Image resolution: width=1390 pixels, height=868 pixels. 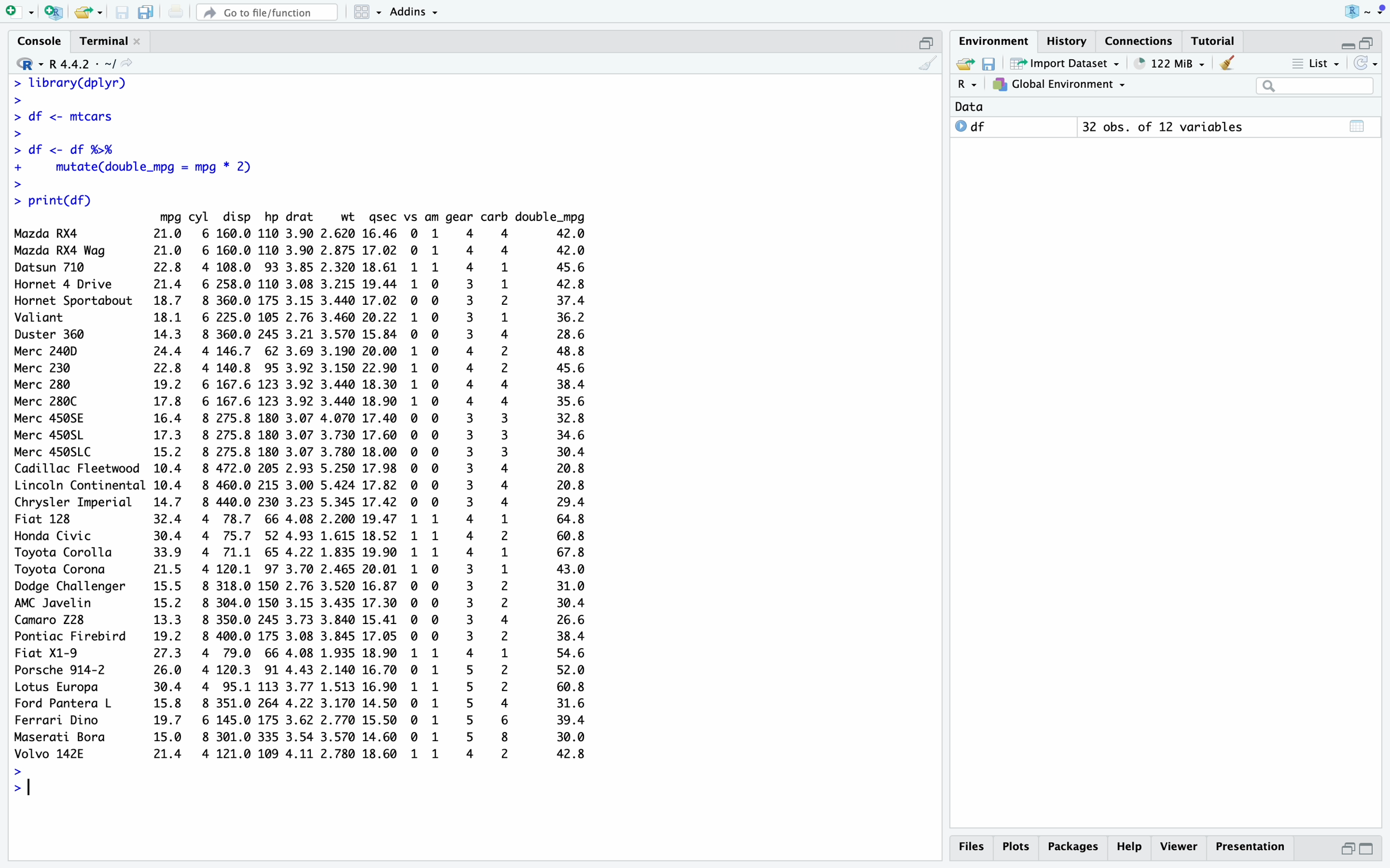 I want to click on printed a table of different cars details, so click(x=300, y=486).